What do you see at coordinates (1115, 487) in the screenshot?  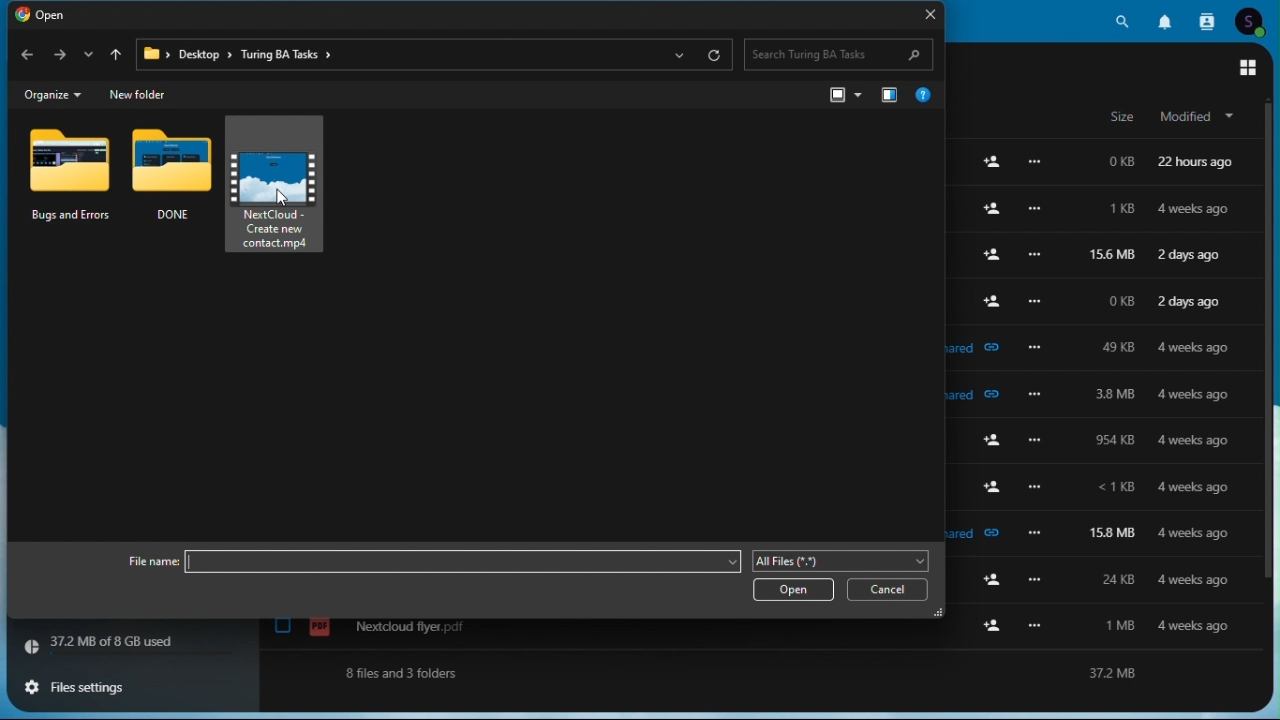 I see `<1 kb` at bounding box center [1115, 487].